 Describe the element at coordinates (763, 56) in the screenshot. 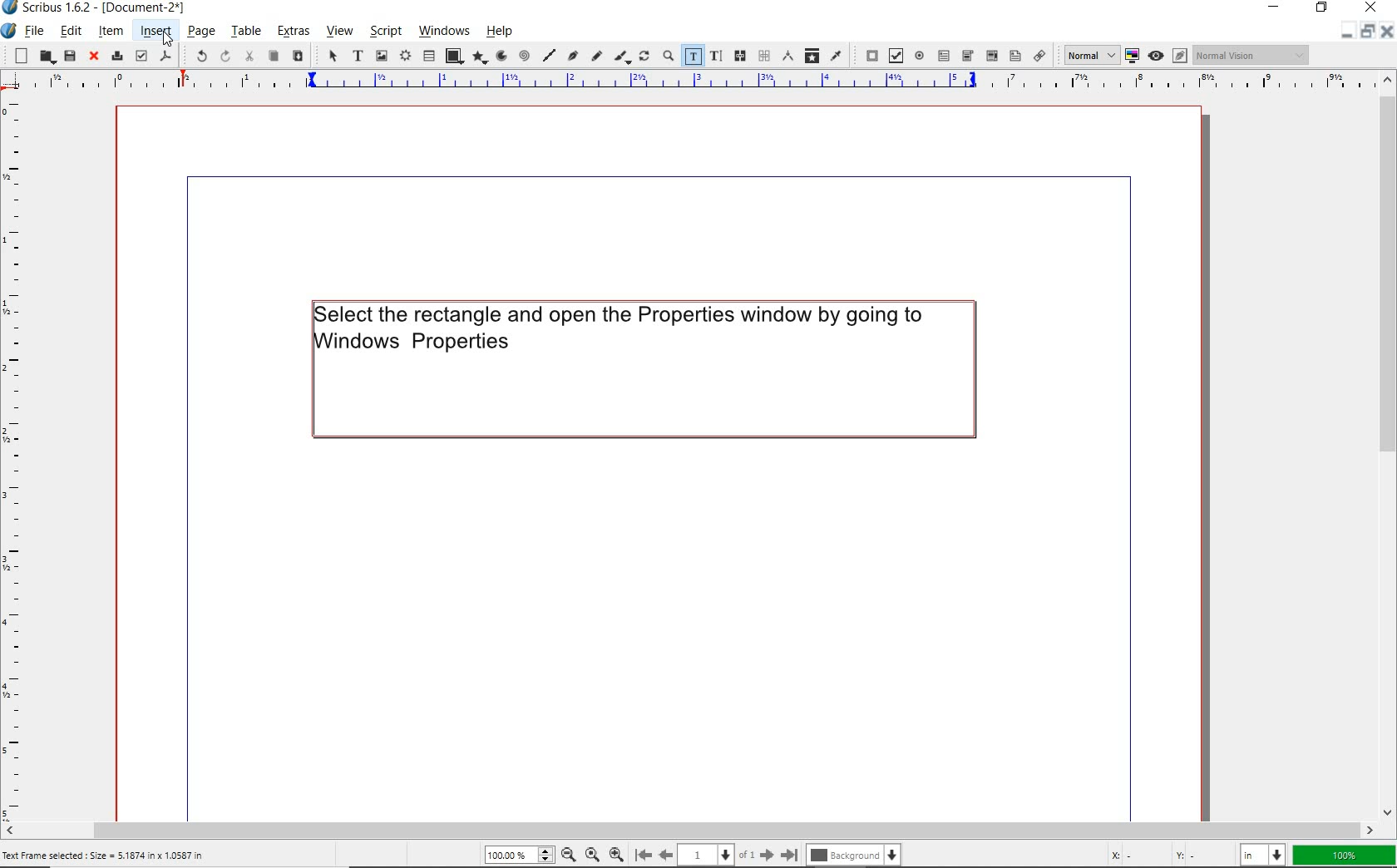

I see `unlink text frames` at that location.